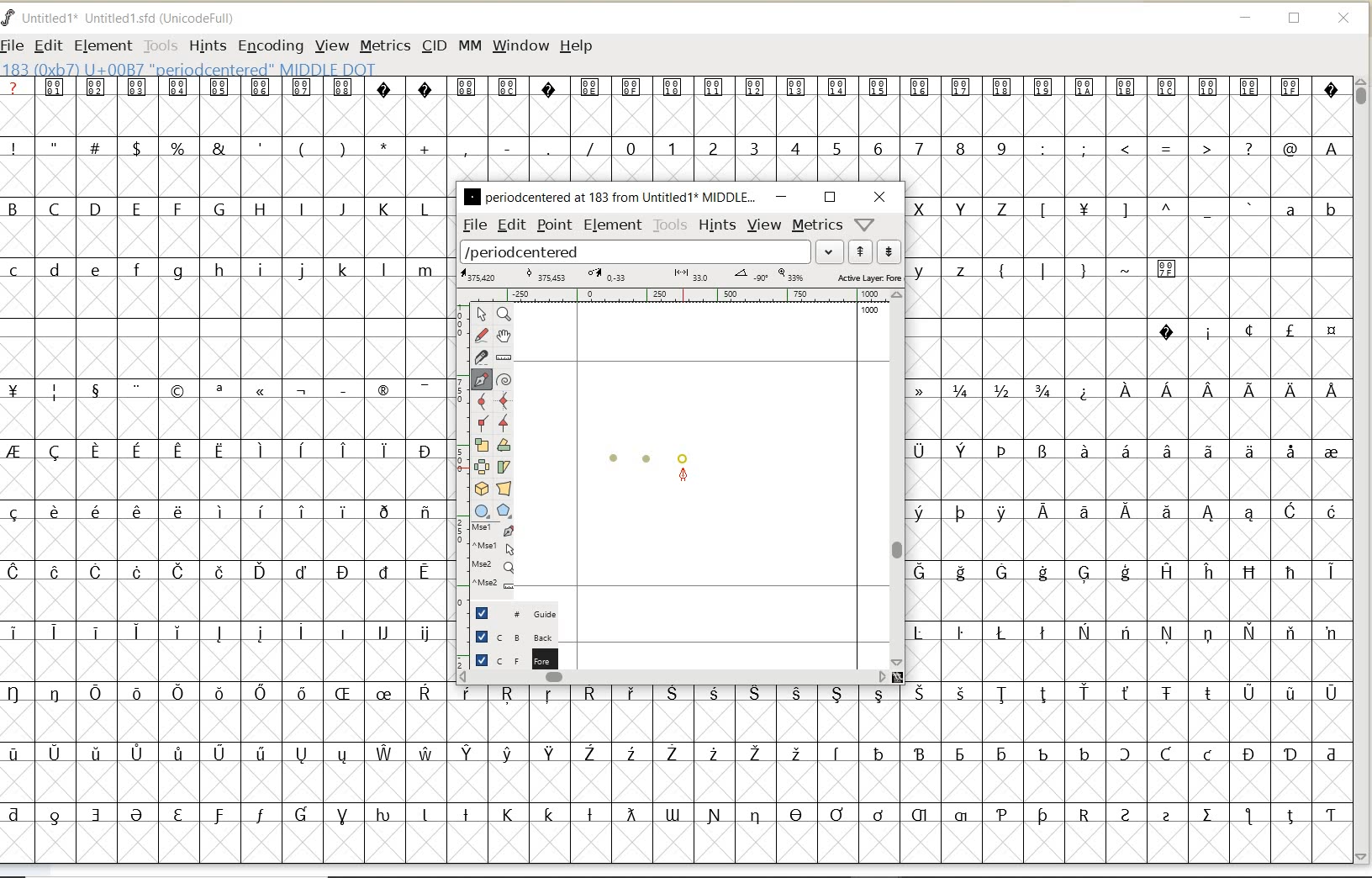 Image resolution: width=1372 pixels, height=878 pixels. What do you see at coordinates (685, 456) in the screenshot?
I see `dot` at bounding box center [685, 456].